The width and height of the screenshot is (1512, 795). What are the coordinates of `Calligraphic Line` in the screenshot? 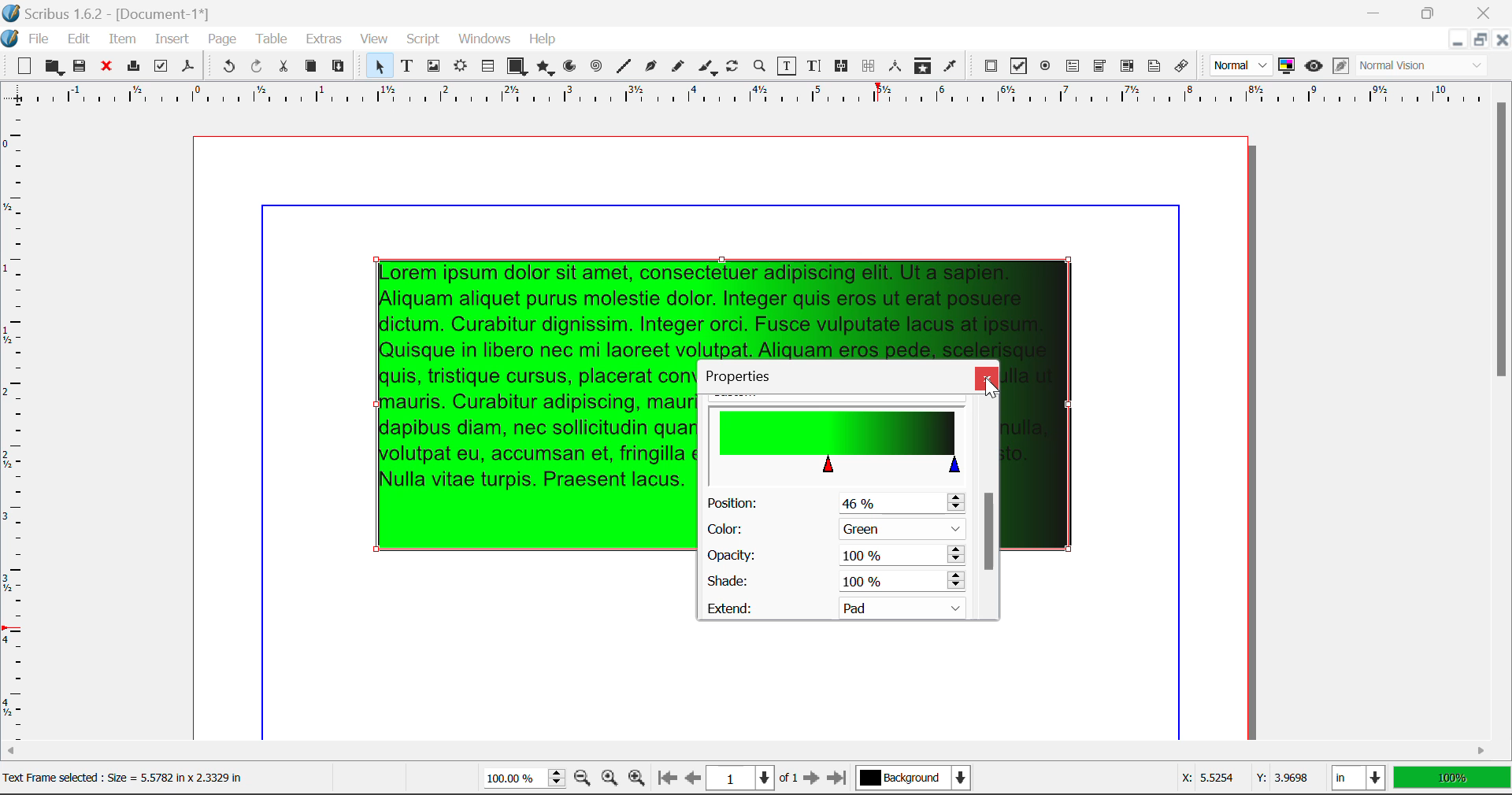 It's located at (709, 69).